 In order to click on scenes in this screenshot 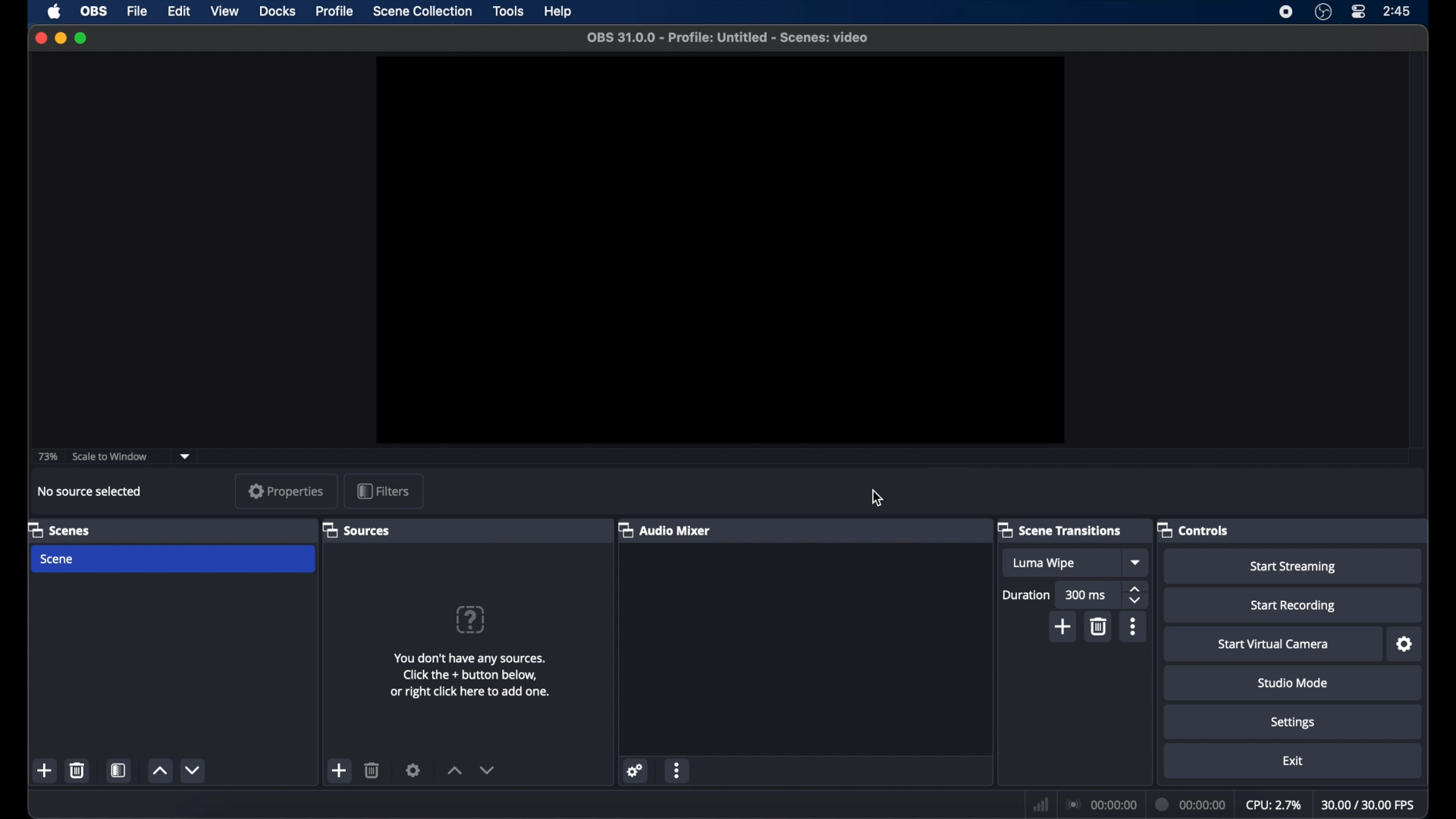, I will do `click(58, 529)`.